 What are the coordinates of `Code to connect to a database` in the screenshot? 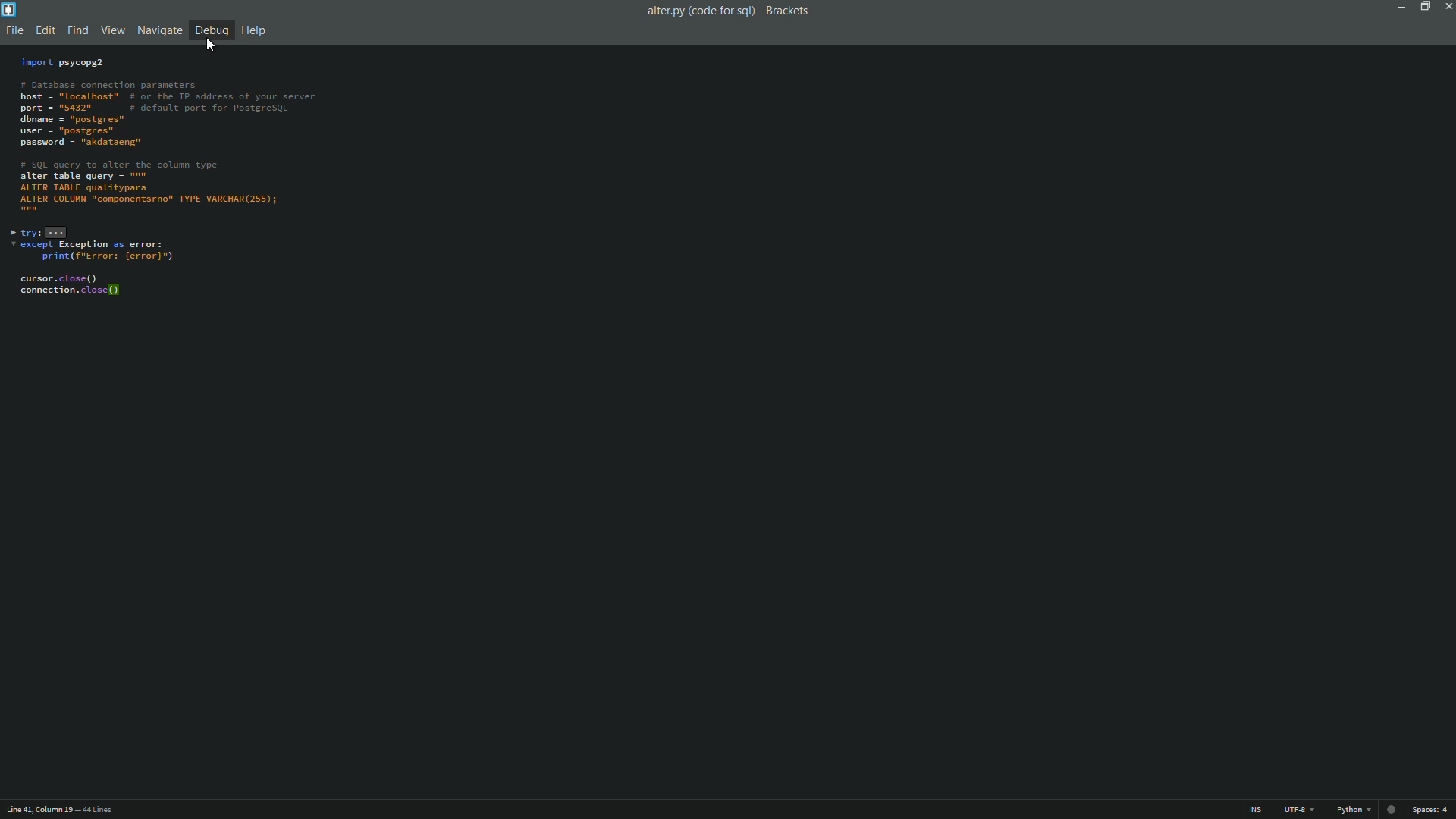 It's located at (171, 182).